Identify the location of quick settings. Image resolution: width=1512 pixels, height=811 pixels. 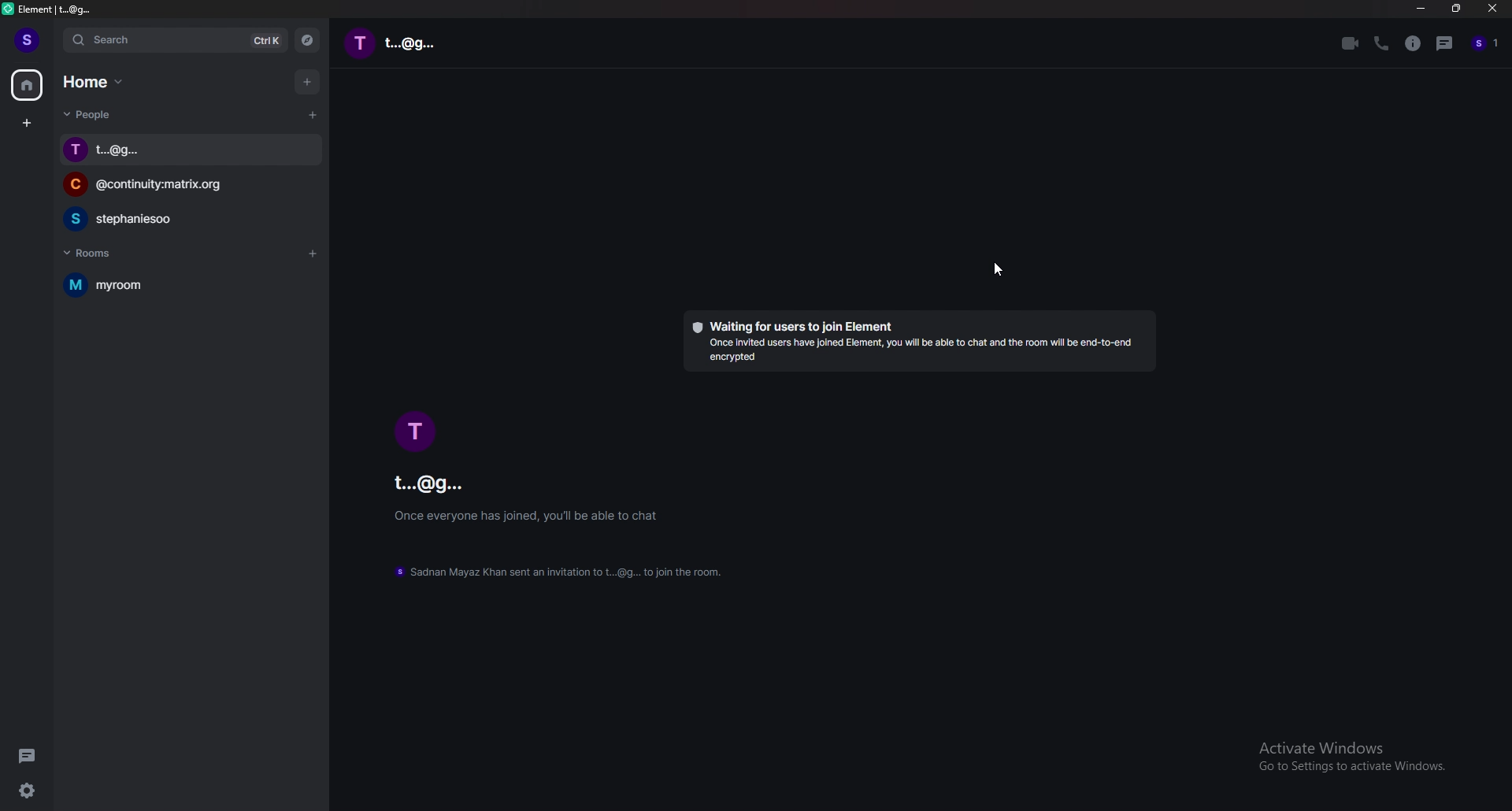
(28, 790).